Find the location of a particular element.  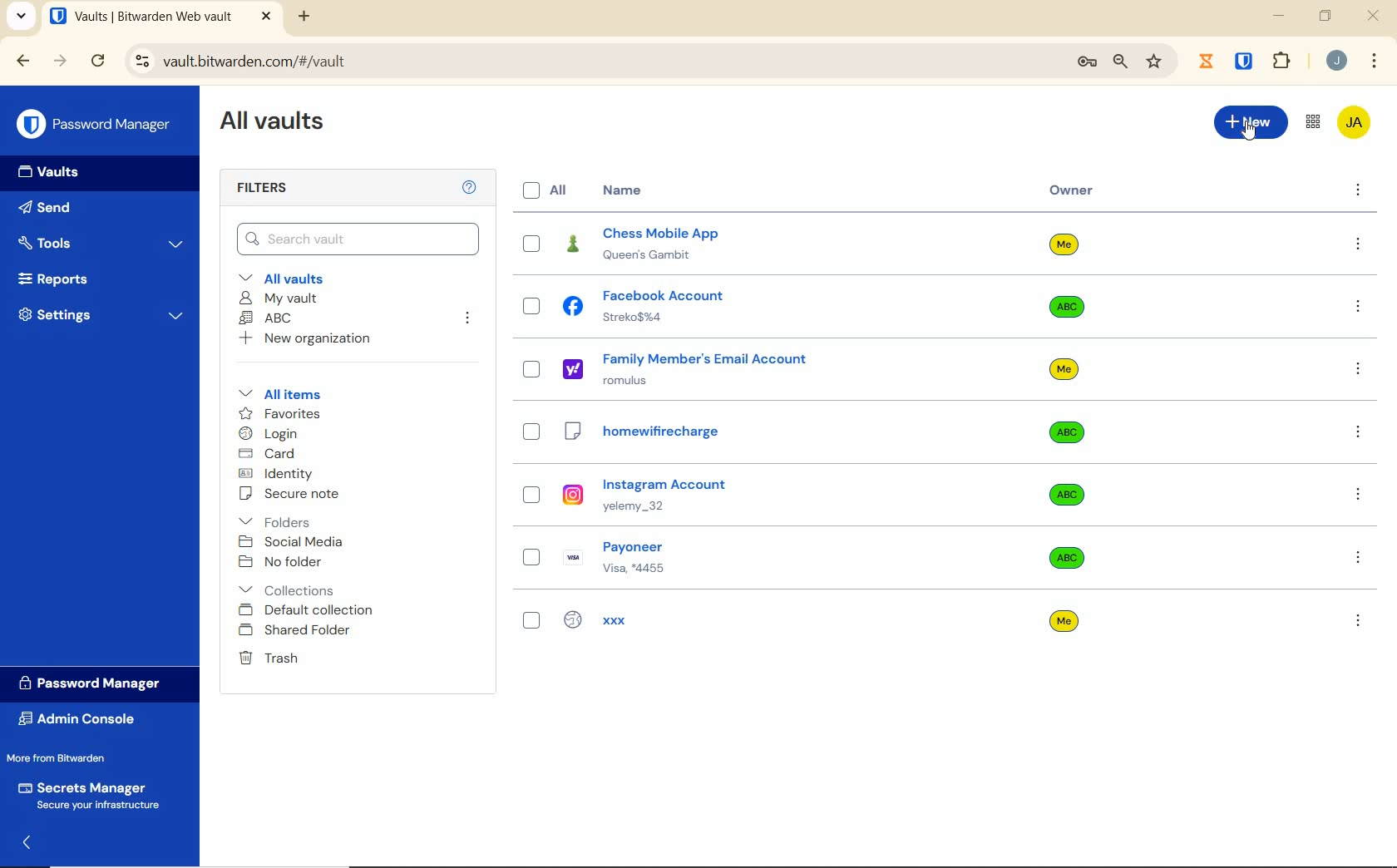

search tabs is located at coordinates (22, 16).